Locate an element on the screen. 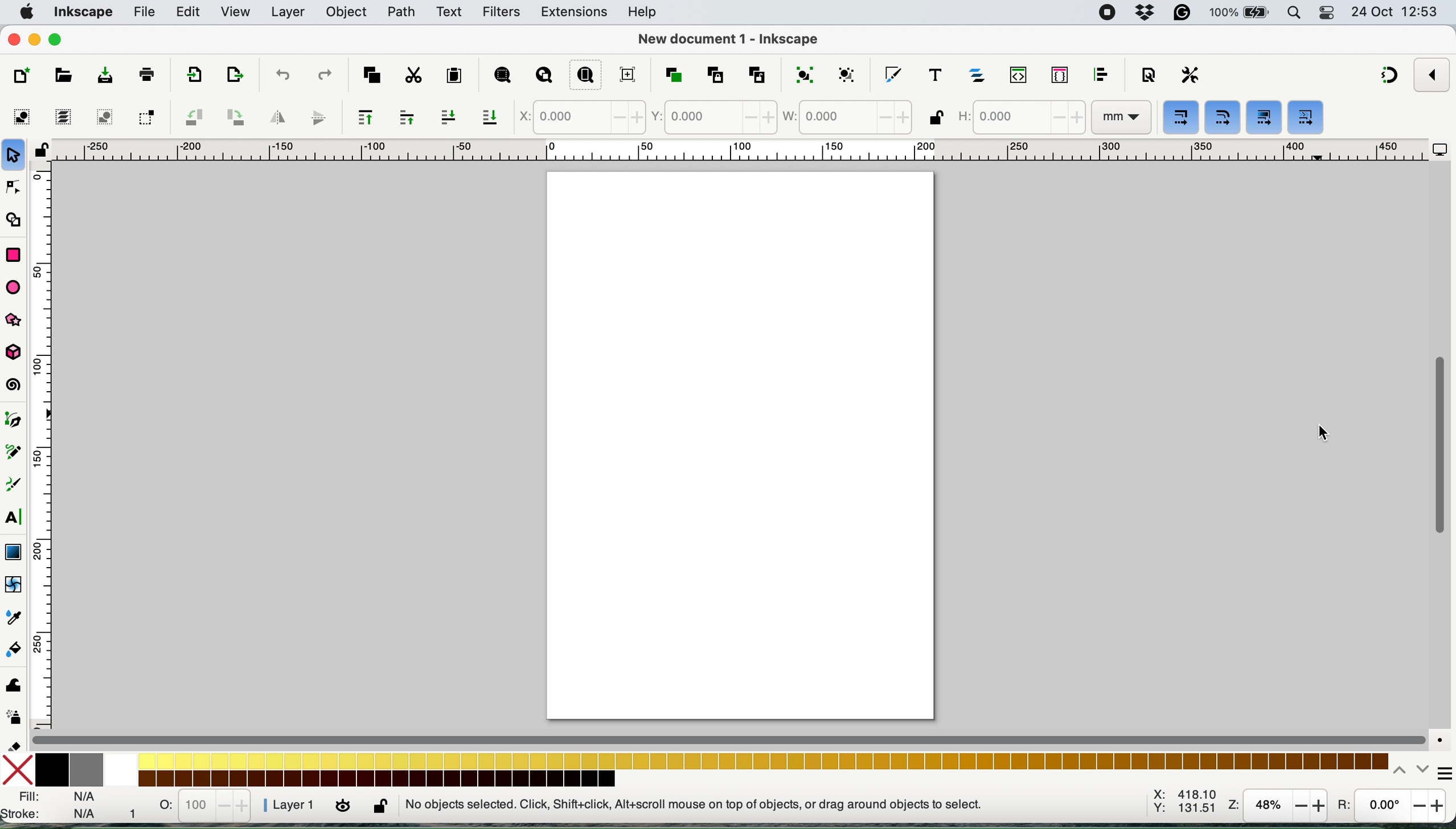 The image size is (1456, 829). dropbox is located at coordinates (1149, 11).